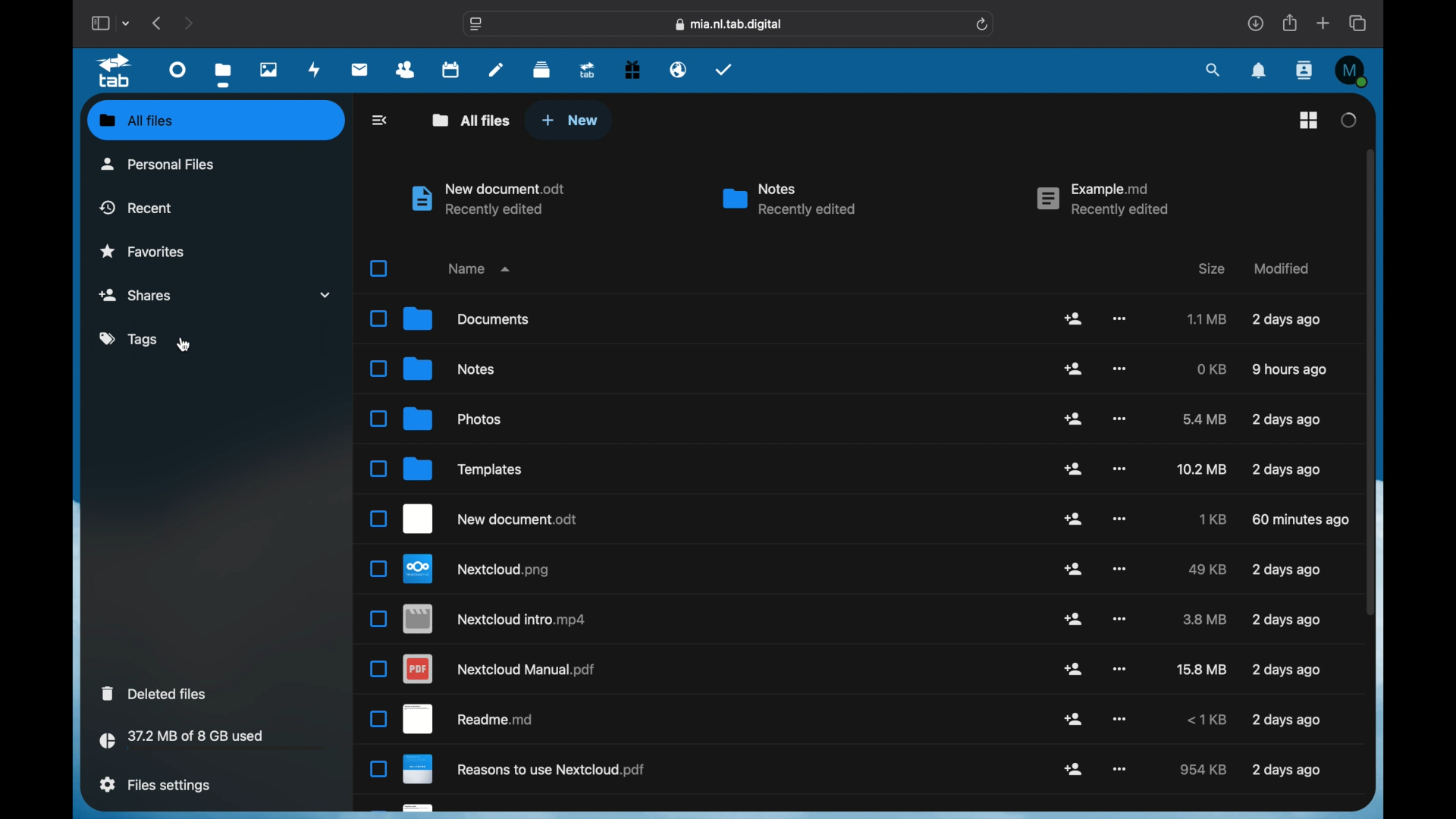  I want to click on Unselected checkbox, so click(378, 618).